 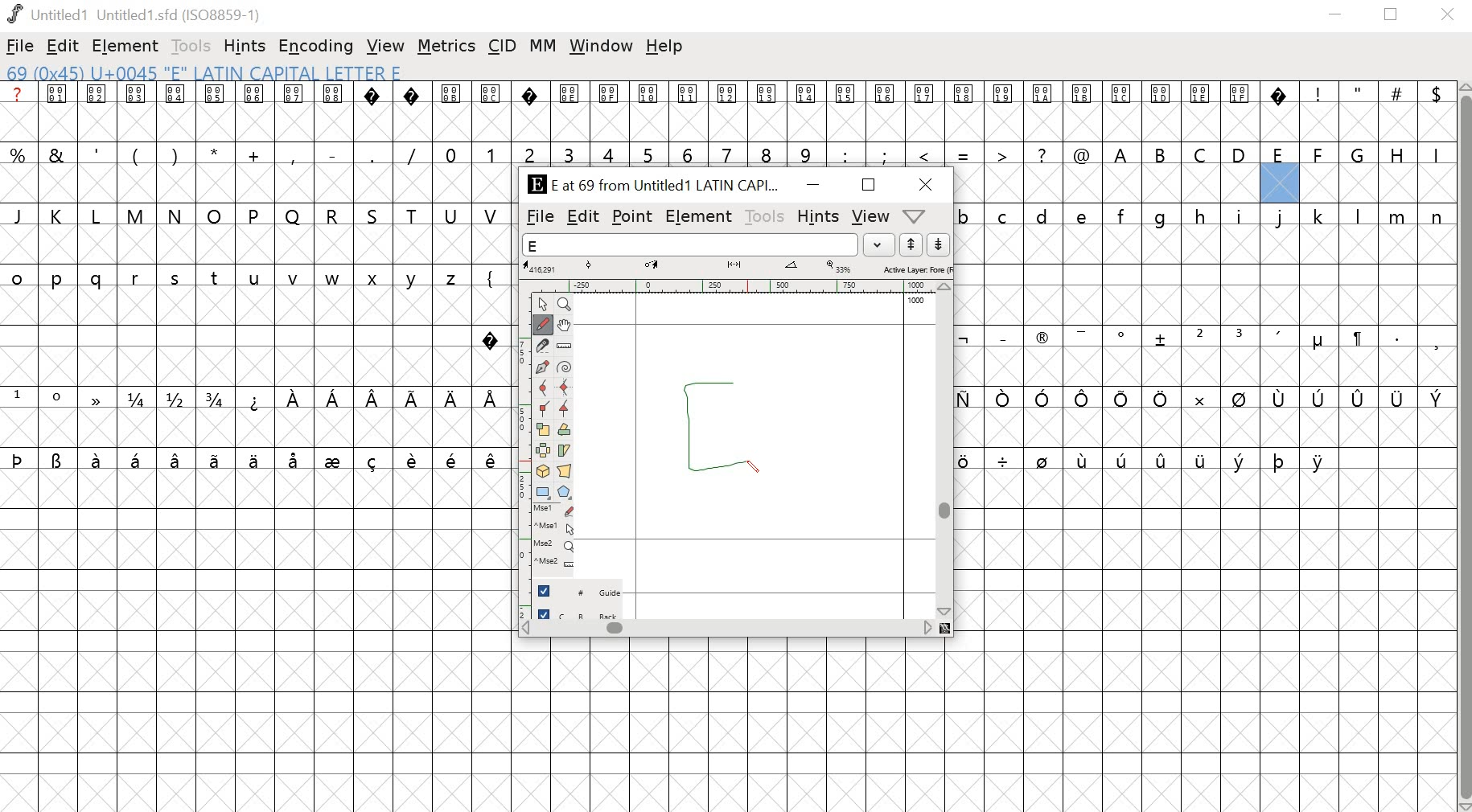 I want to click on measurements, so click(x=737, y=268).